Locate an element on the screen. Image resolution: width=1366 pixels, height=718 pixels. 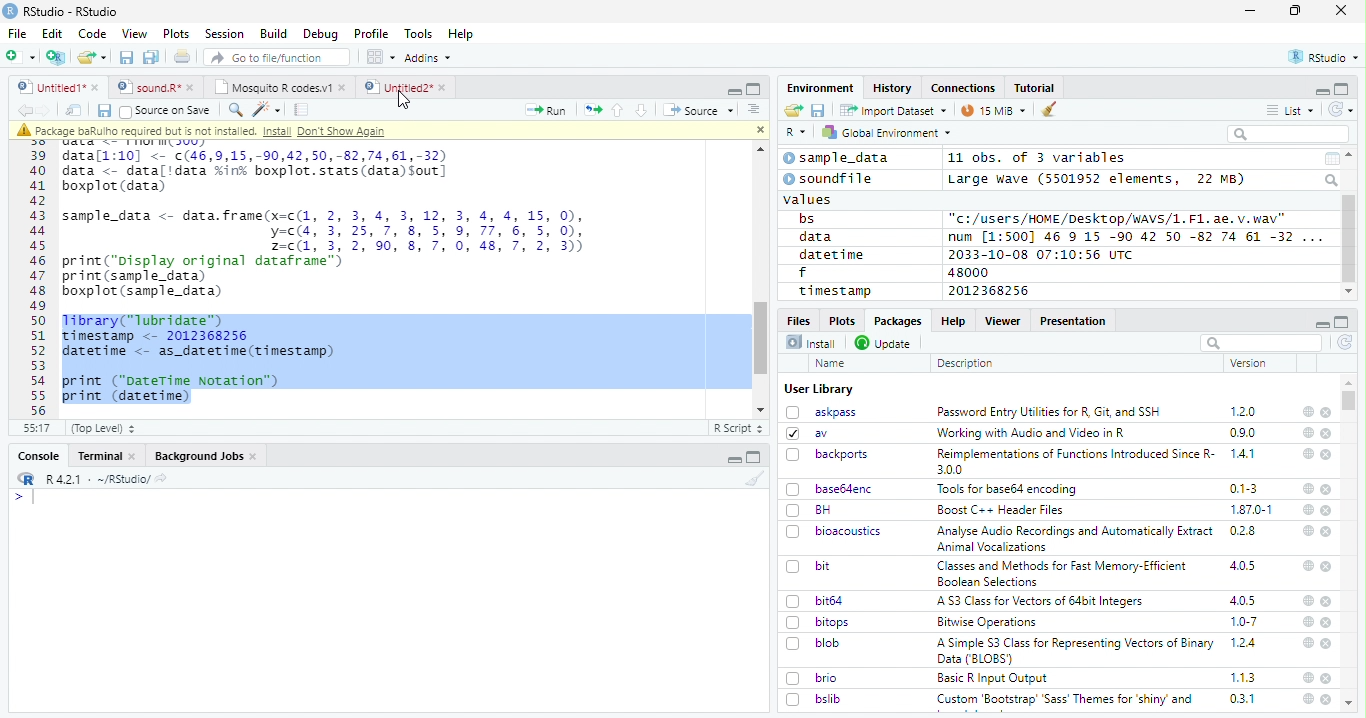
f is located at coordinates (803, 273).